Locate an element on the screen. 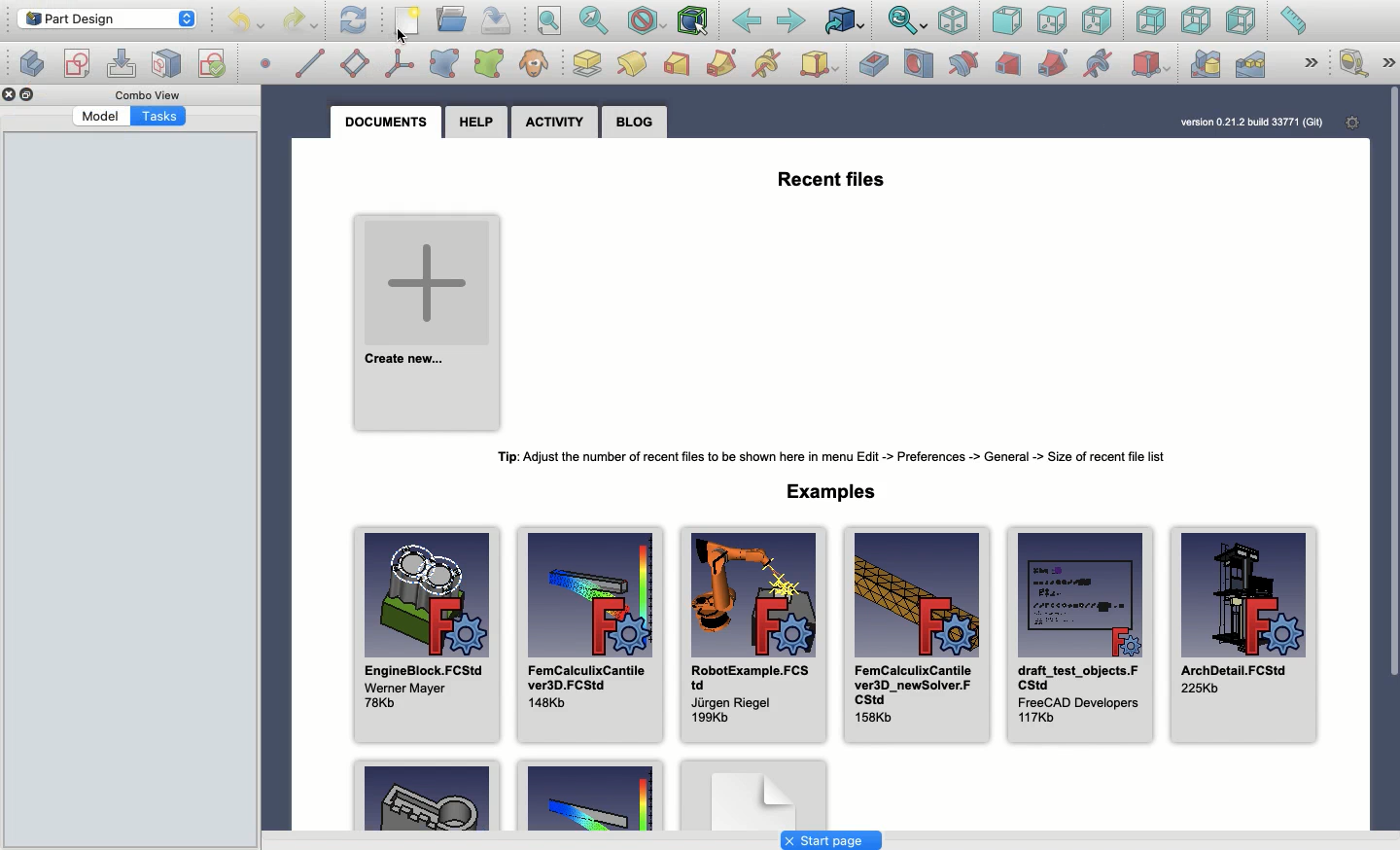 This screenshot has width=1400, height=850. Bottom is located at coordinates (1194, 22).